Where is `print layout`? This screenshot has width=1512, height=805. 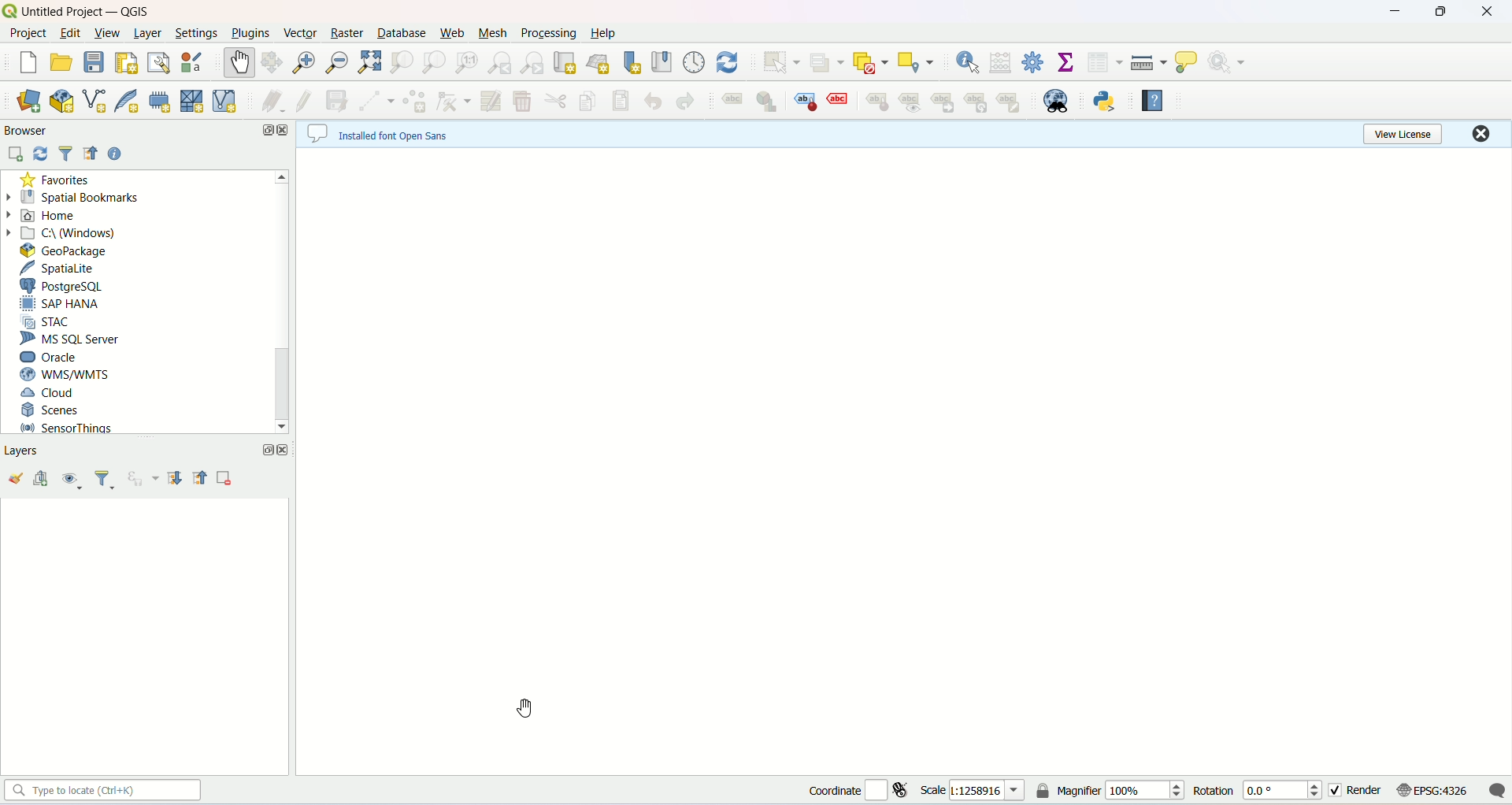
print layout is located at coordinates (129, 63).